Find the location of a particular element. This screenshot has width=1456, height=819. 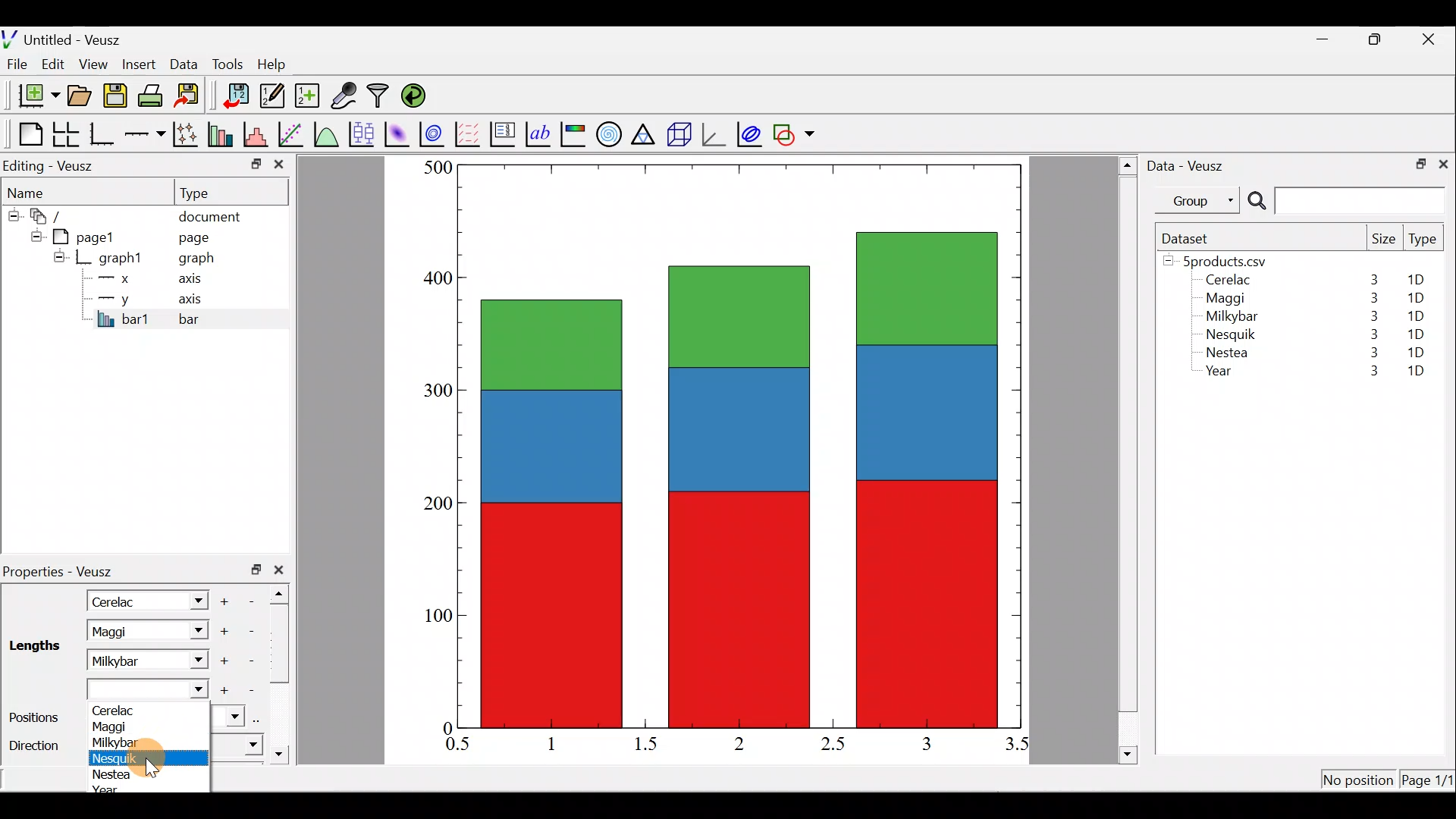

Plot points with lines and error bars is located at coordinates (188, 135).